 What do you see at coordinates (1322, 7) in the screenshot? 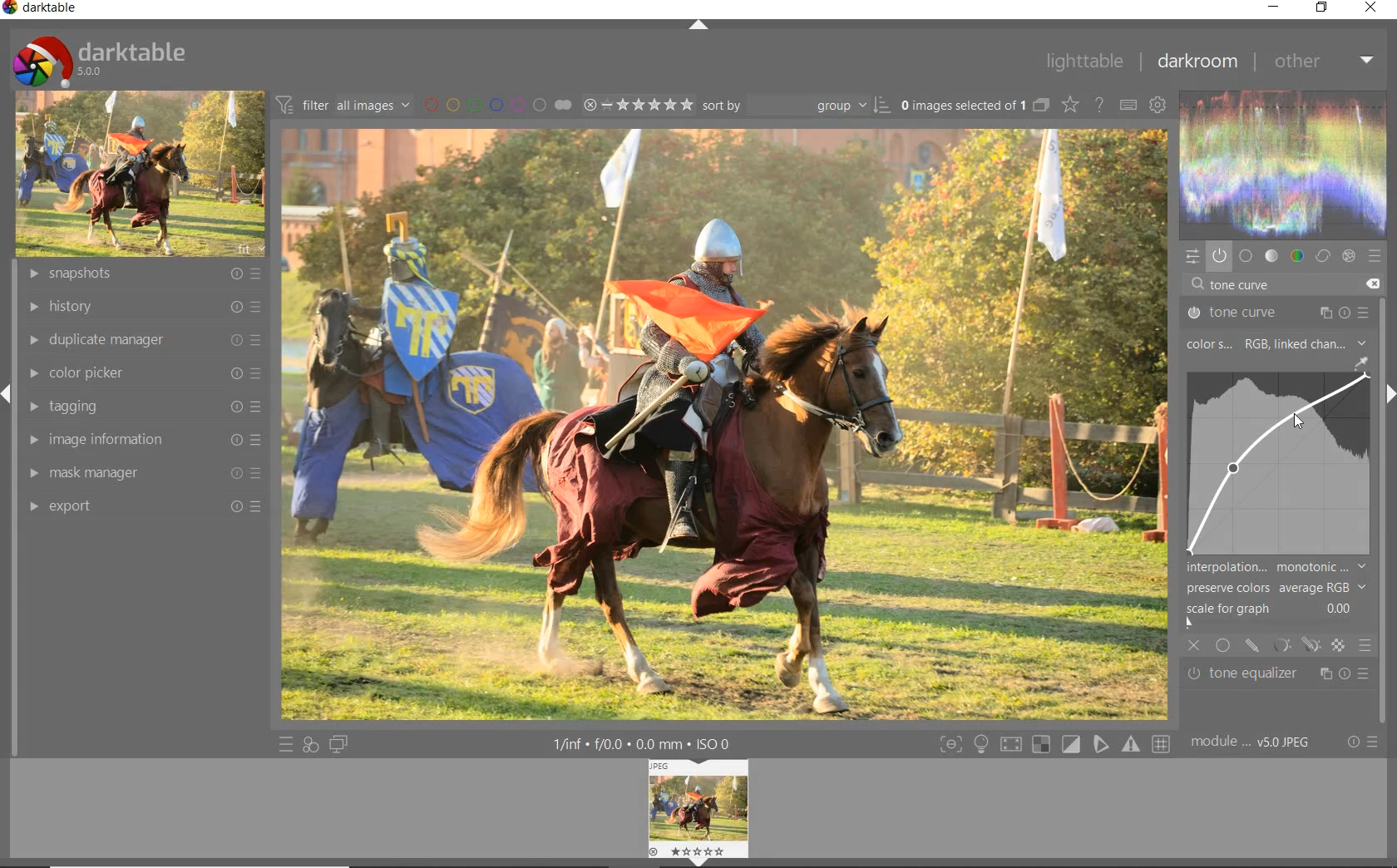
I see `restore` at bounding box center [1322, 7].